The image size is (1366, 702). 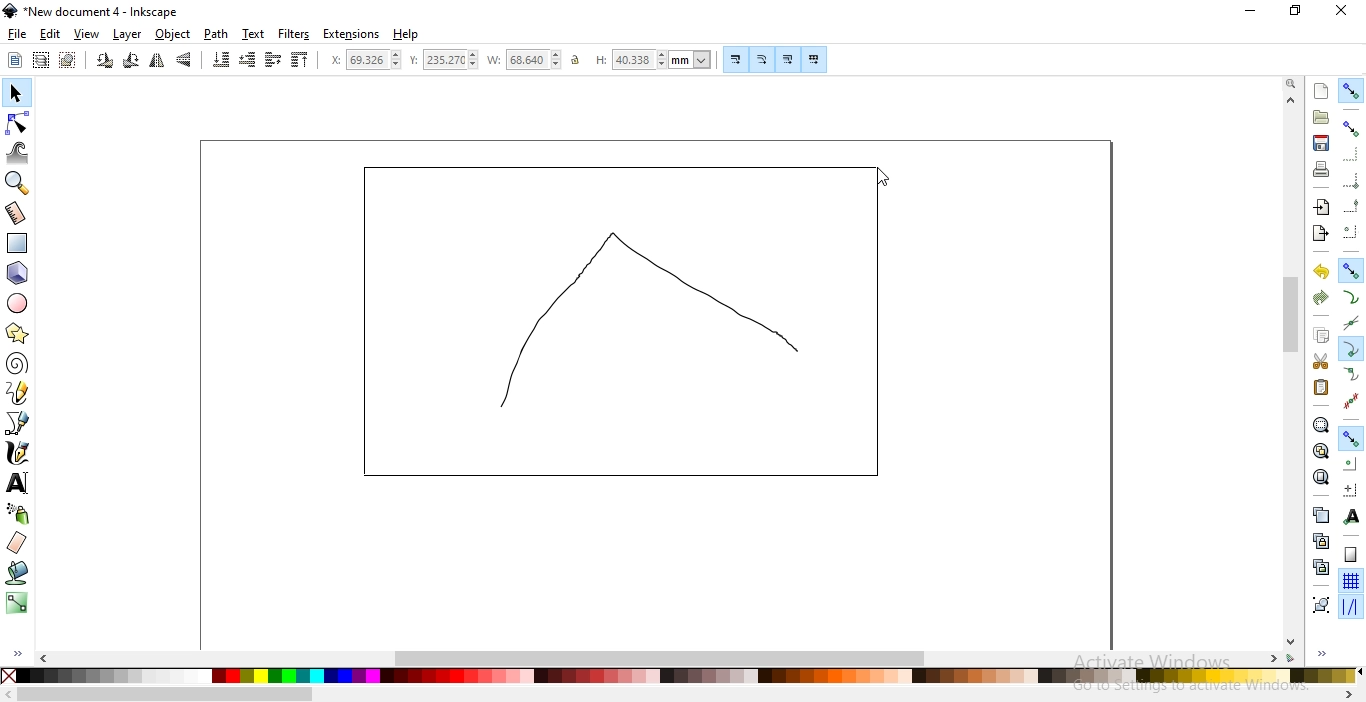 I want to click on snap cusp nodes incl rectangles corners, so click(x=1350, y=349).